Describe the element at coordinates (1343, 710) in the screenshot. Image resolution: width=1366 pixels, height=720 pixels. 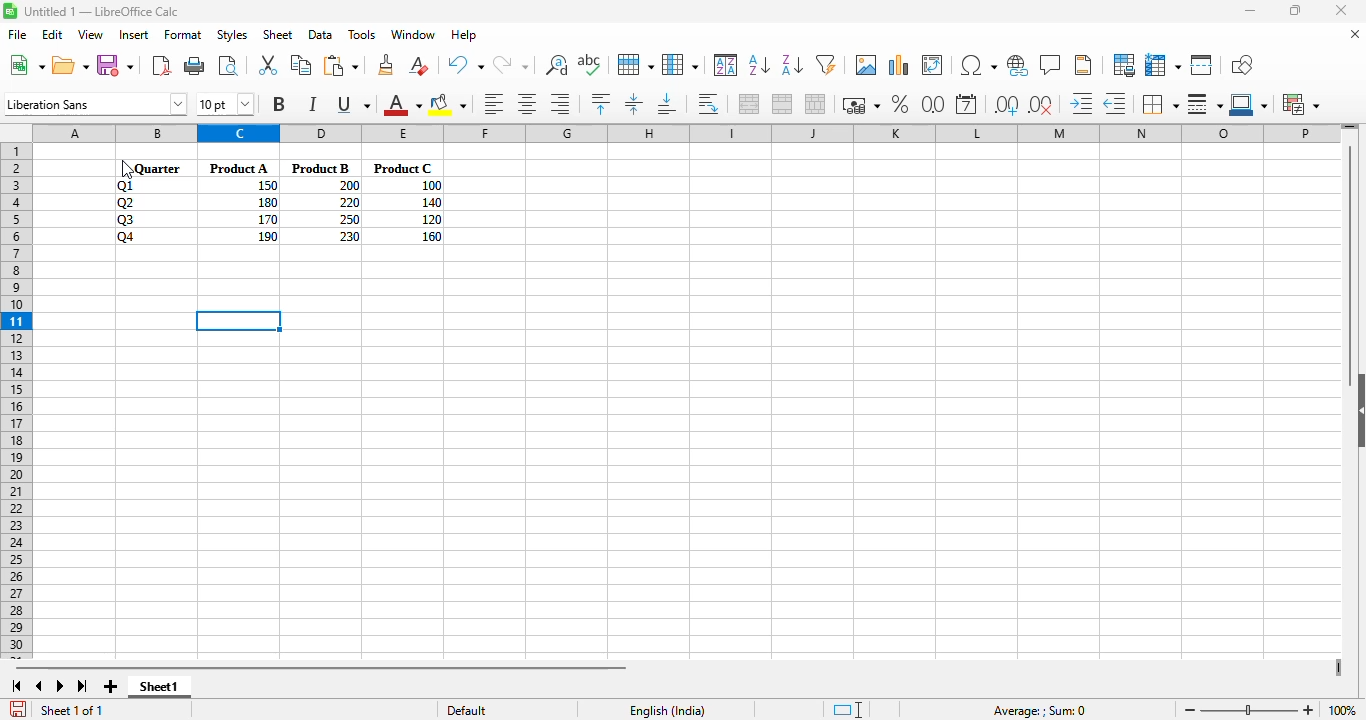
I see `zoom factor` at that location.